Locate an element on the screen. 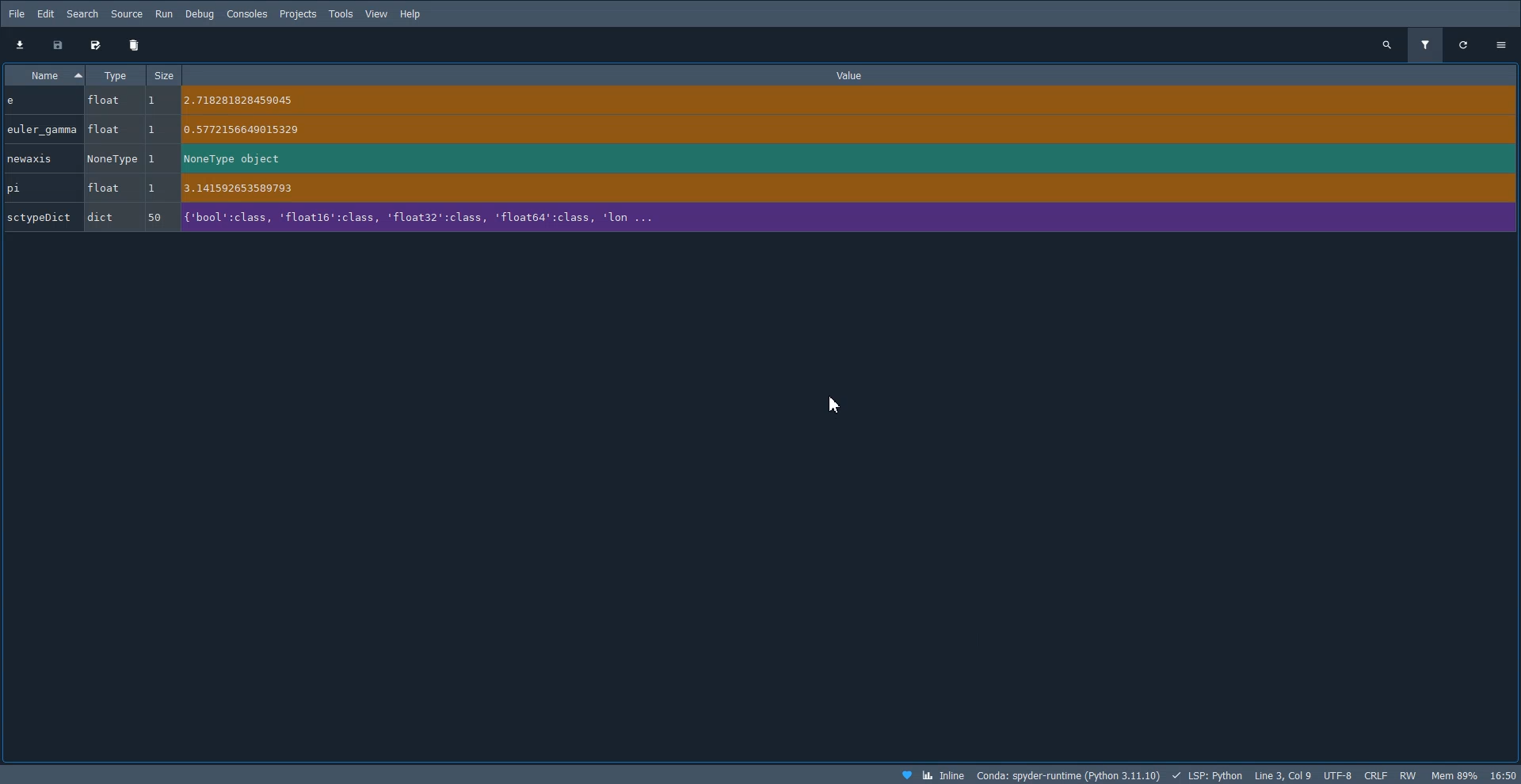  1 is located at coordinates (151, 188).